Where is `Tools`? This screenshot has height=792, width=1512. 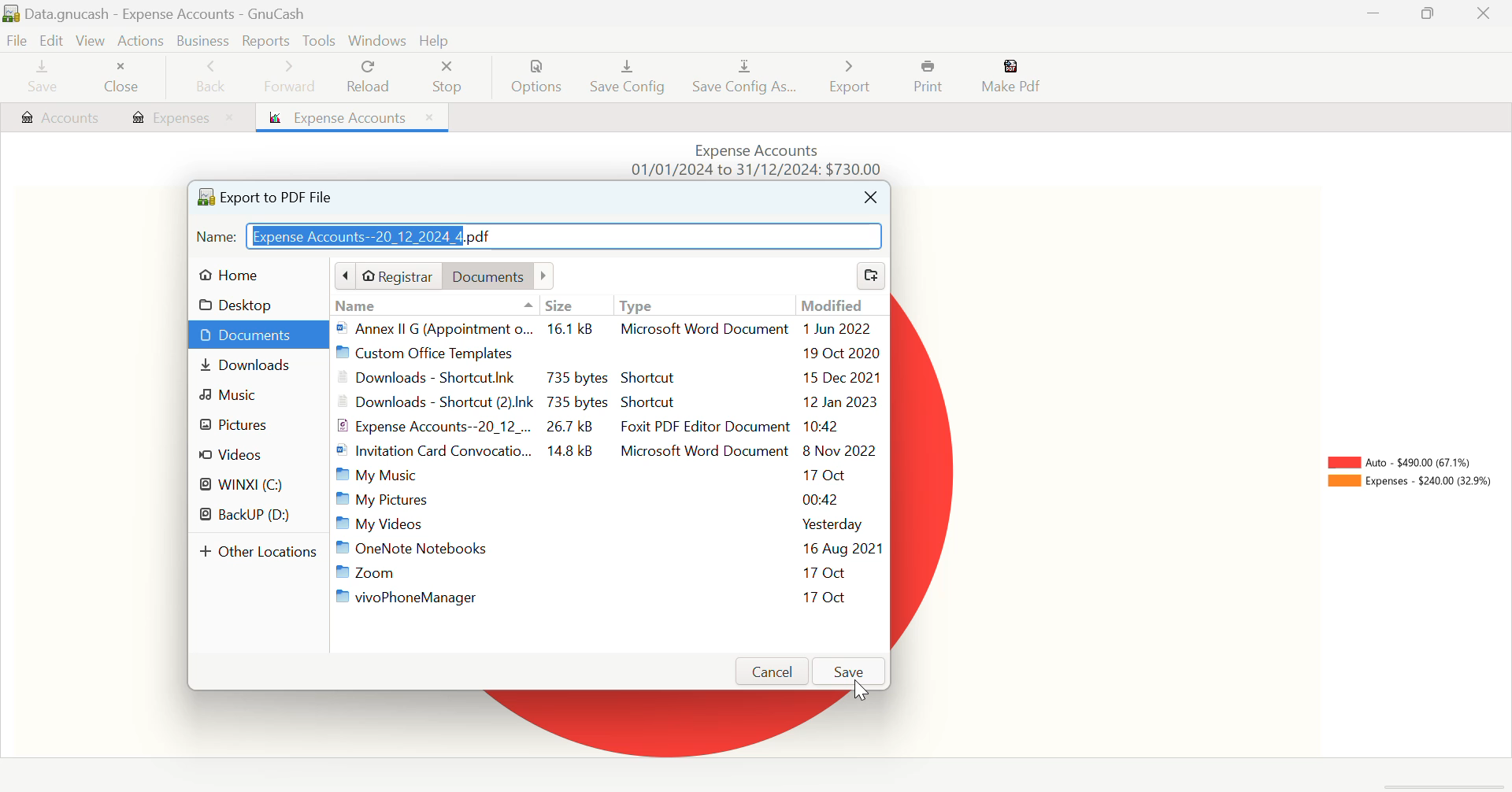 Tools is located at coordinates (318, 41).